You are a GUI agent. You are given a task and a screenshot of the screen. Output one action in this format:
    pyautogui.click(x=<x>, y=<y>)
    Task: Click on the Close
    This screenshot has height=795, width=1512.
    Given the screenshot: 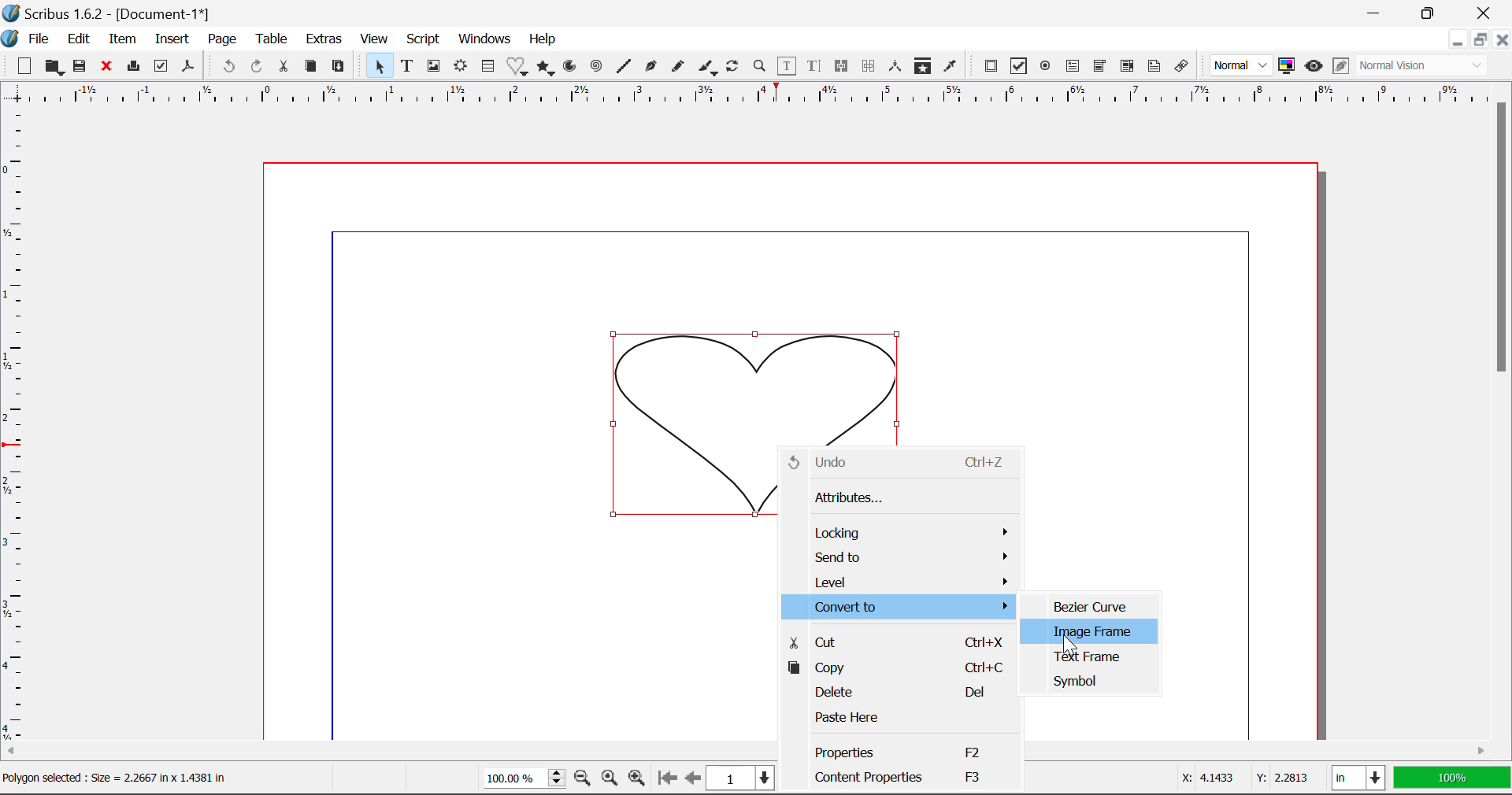 What is the action you would take?
    pyautogui.click(x=1503, y=42)
    